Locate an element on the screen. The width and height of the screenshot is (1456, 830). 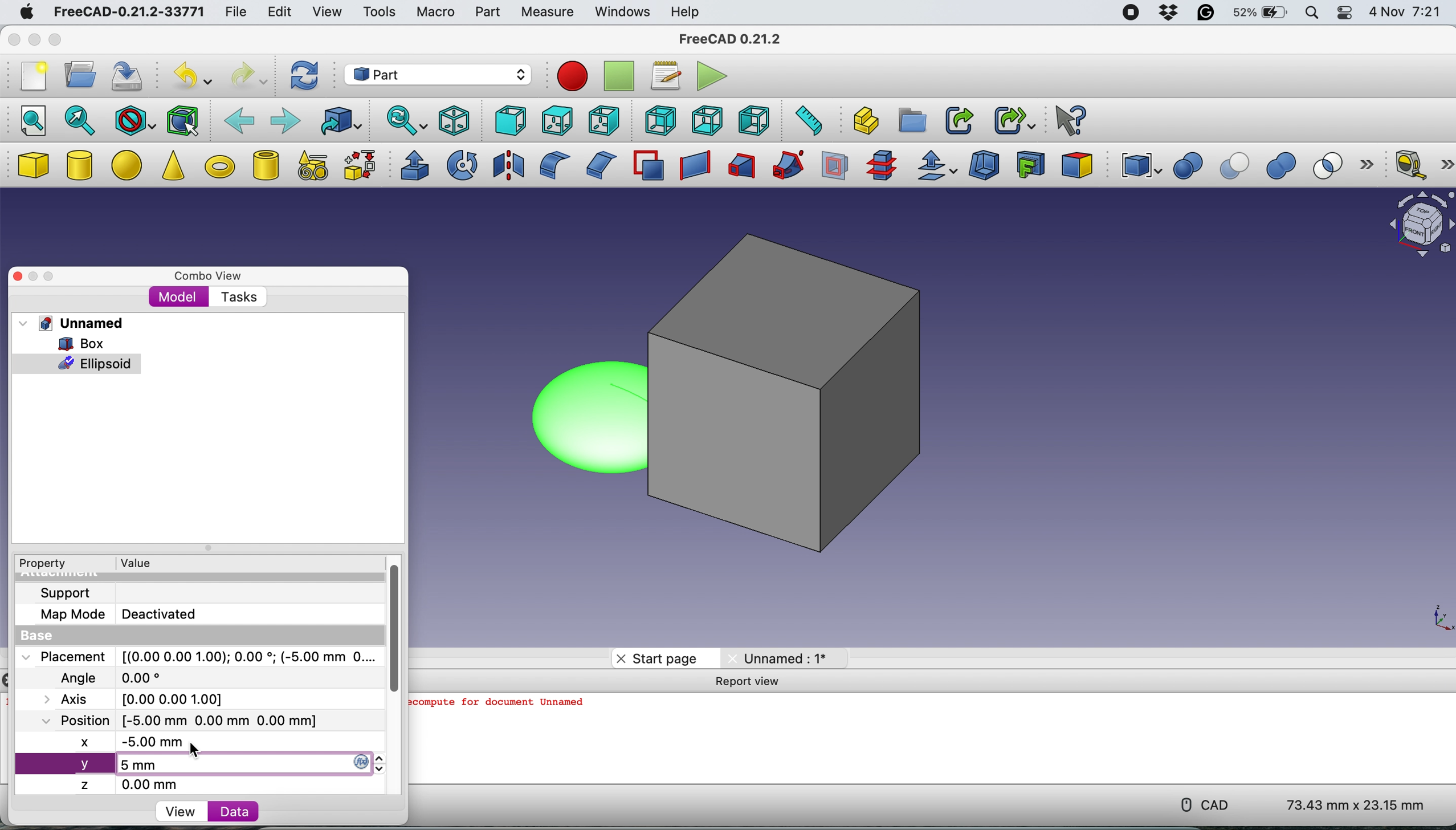
ellipsoid is located at coordinates (581, 415).